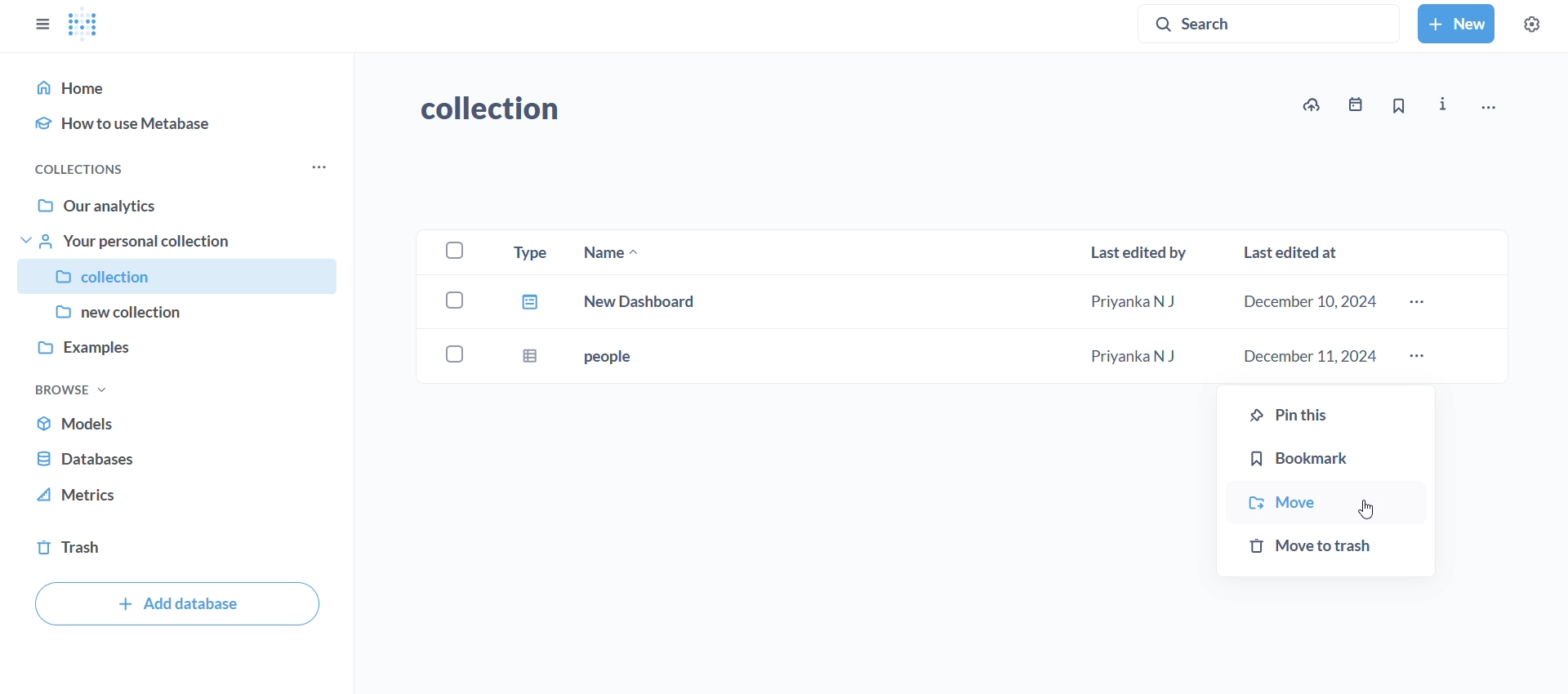 This screenshot has height=694, width=1568. What do you see at coordinates (183, 425) in the screenshot?
I see `models` at bounding box center [183, 425].